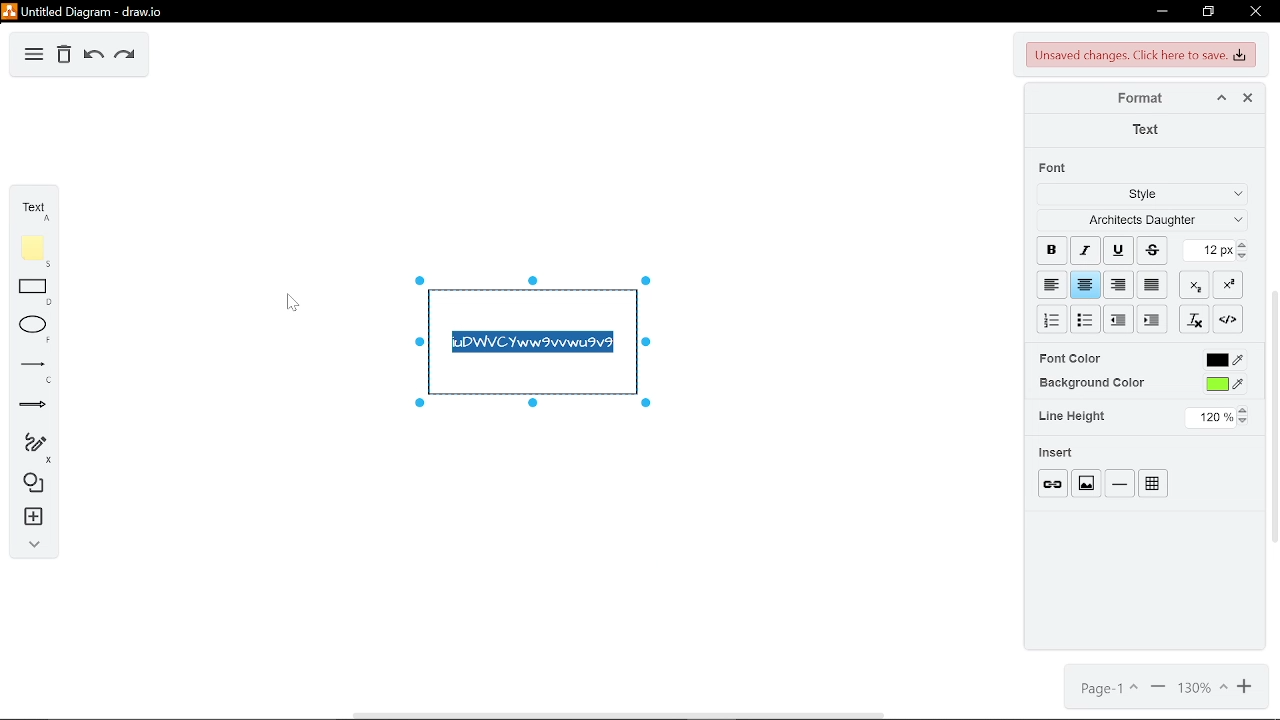 The image size is (1280, 720). What do you see at coordinates (1086, 250) in the screenshot?
I see `italic` at bounding box center [1086, 250].